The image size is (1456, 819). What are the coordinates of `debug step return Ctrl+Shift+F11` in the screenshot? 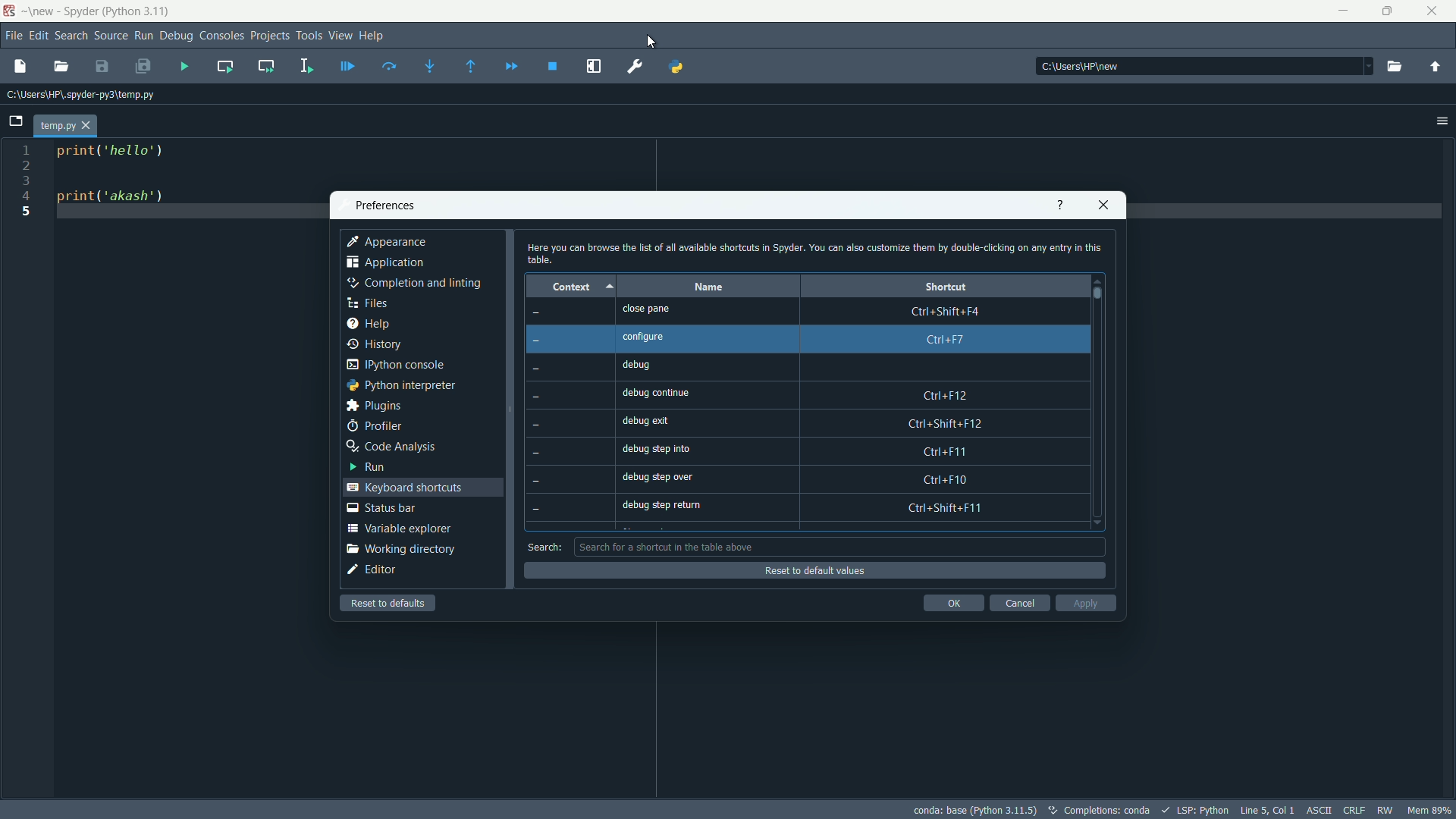 It's located at (821, 508).